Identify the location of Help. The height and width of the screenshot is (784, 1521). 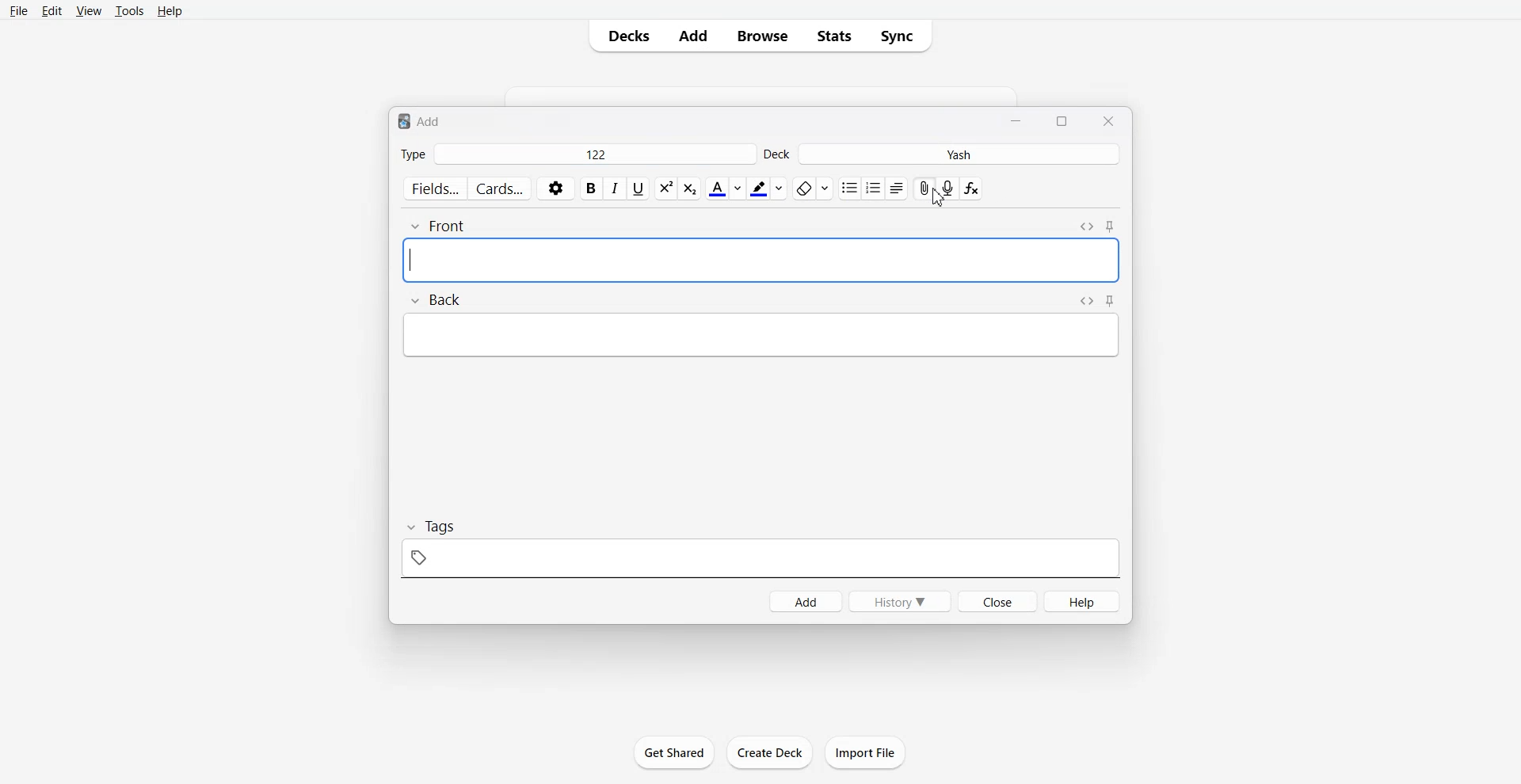
(169, 12).